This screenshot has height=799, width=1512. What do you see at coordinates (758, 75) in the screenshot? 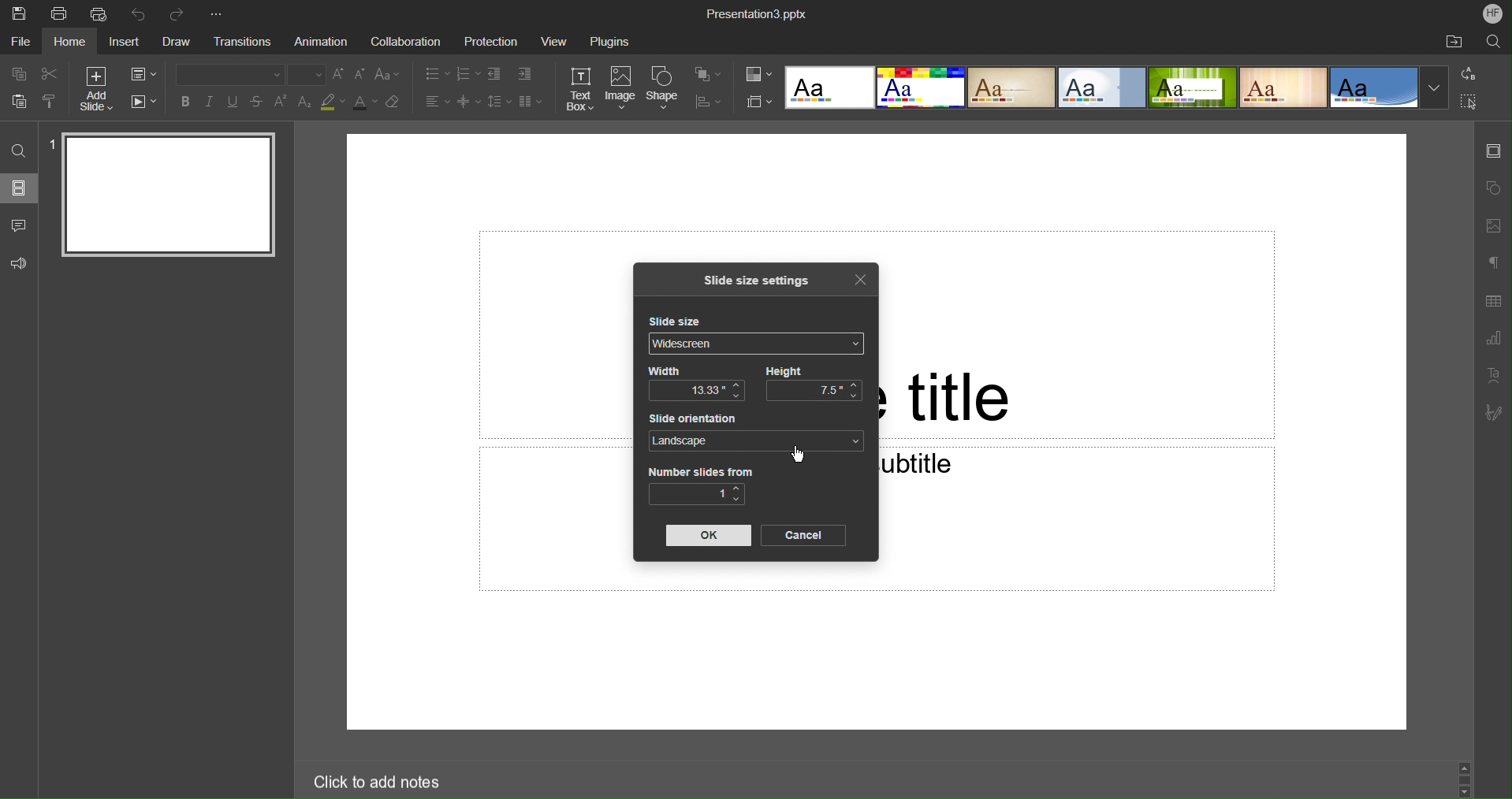
I see `Change Color Themes` at bounding box center [758, 75].